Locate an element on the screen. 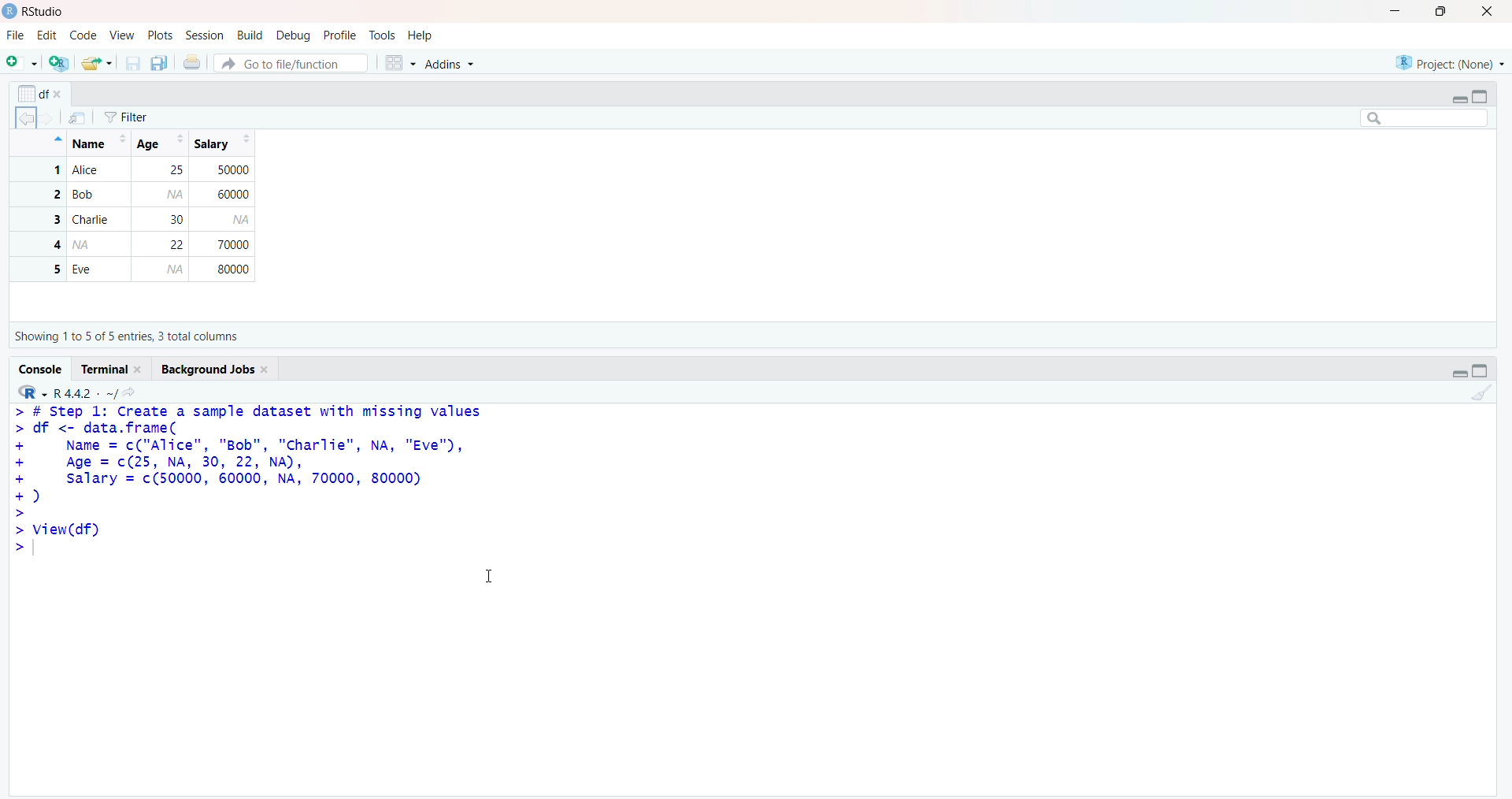 The height and width of the screenshot is (799, 1512). Tools is located at coordinates (384, 35).